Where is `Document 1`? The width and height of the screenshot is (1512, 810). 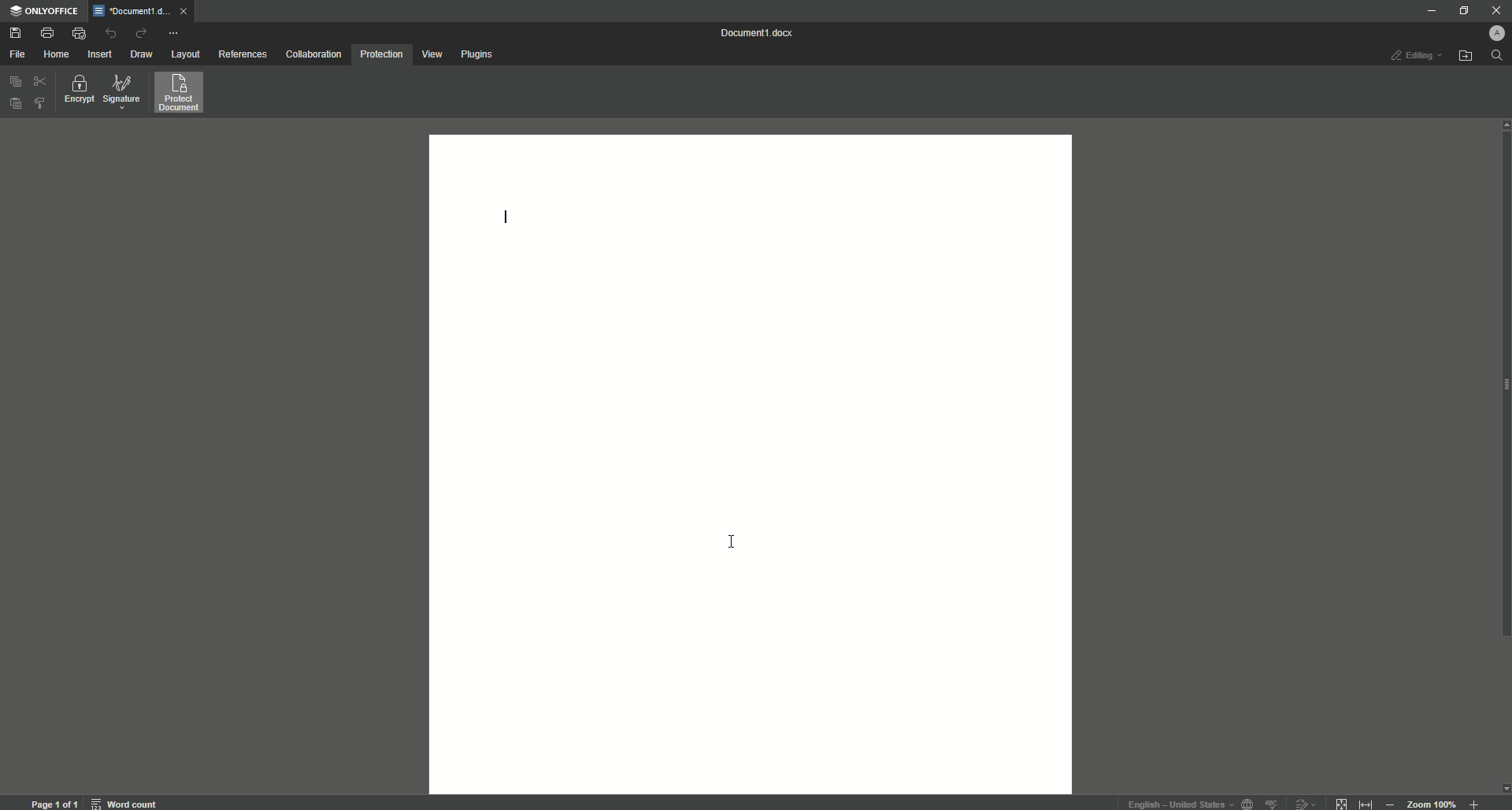 Document 1 is located at coordinates (760, 33).